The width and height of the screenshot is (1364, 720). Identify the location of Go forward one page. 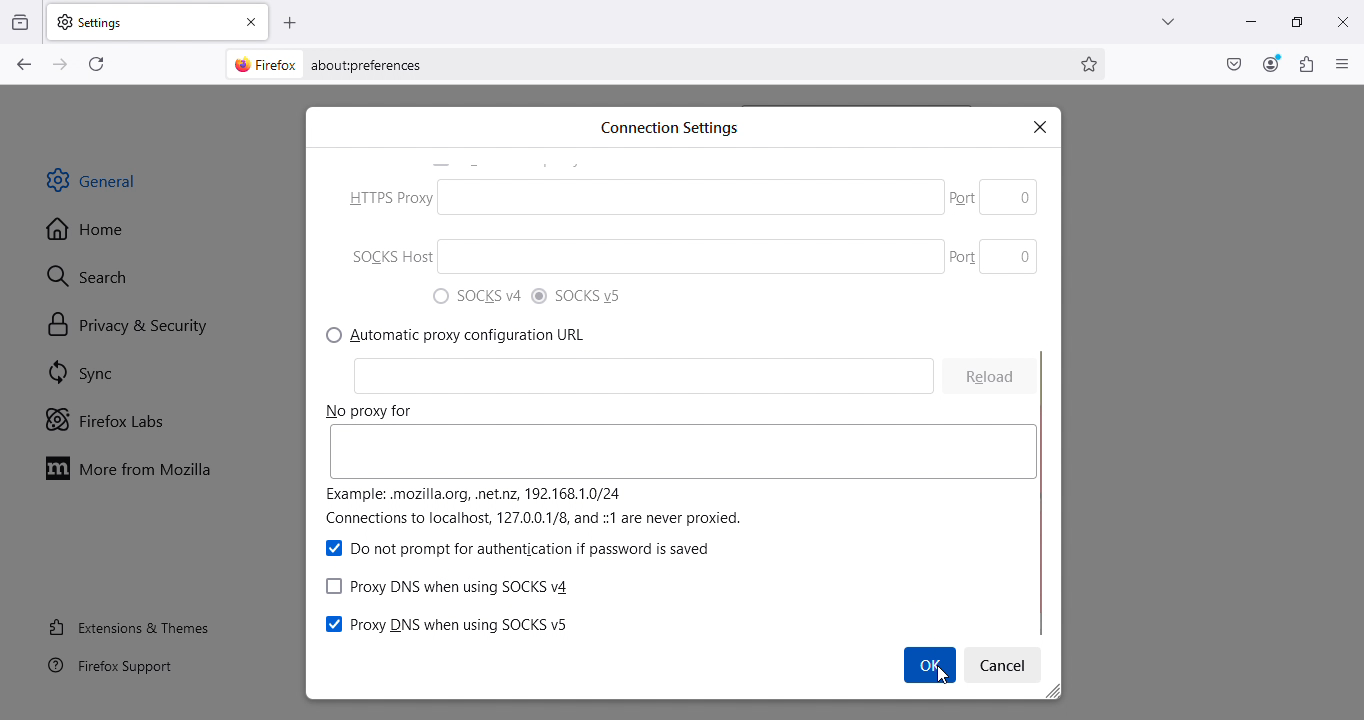
(58, 63).